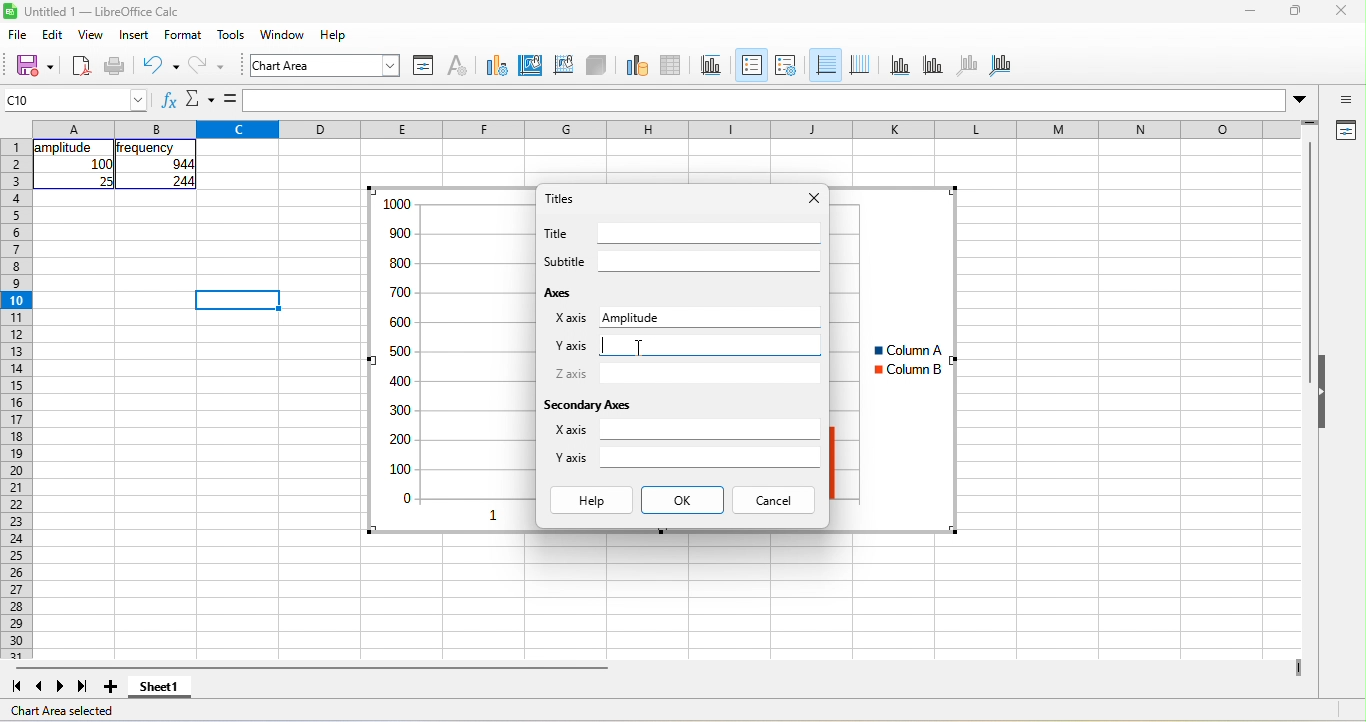 The width and height of the screenshot is (1366, 722). I want to click on X axis, so click(570, 429).